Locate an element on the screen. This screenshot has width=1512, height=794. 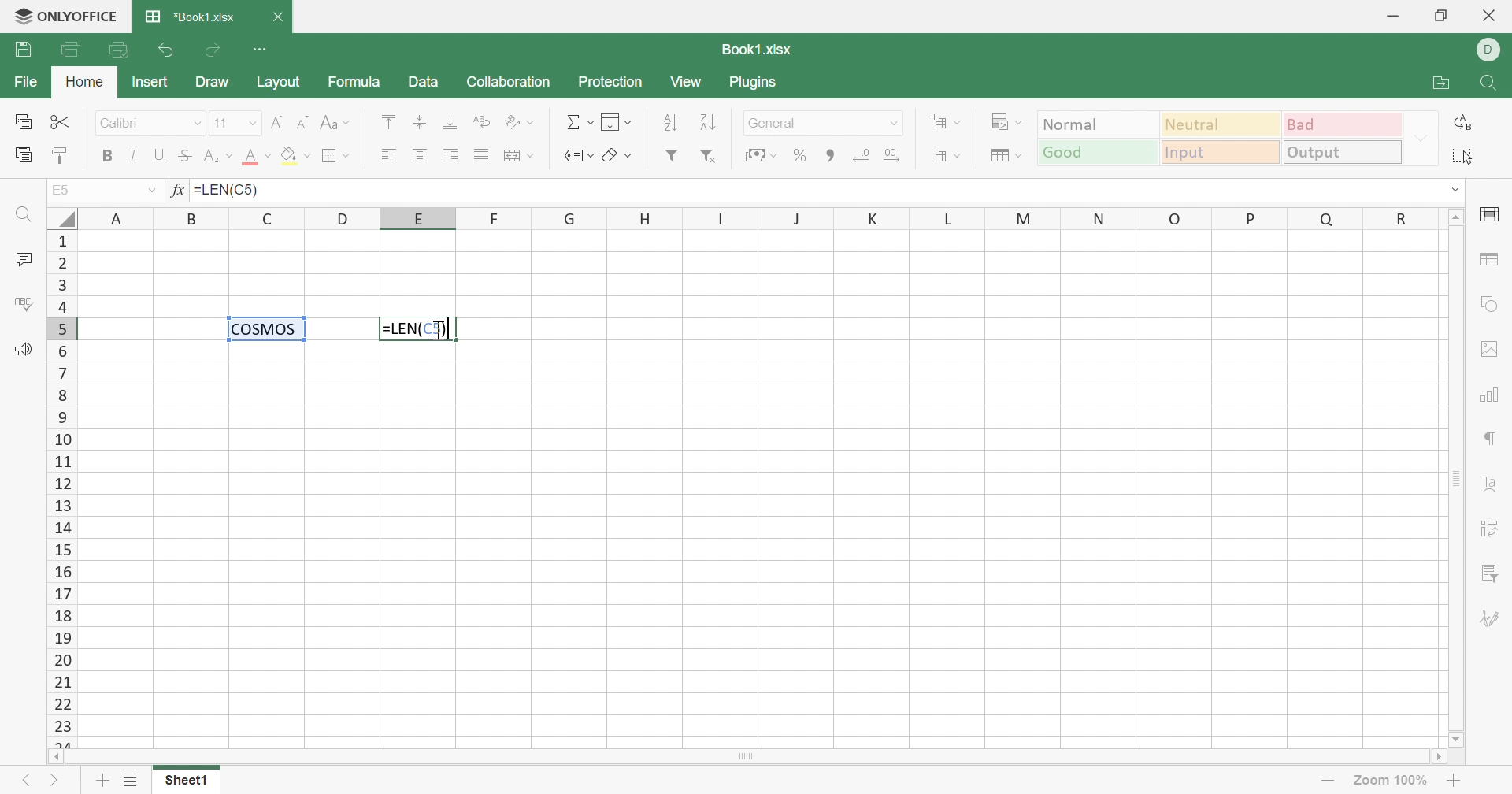
Previous is located at coordinates (24, 781).